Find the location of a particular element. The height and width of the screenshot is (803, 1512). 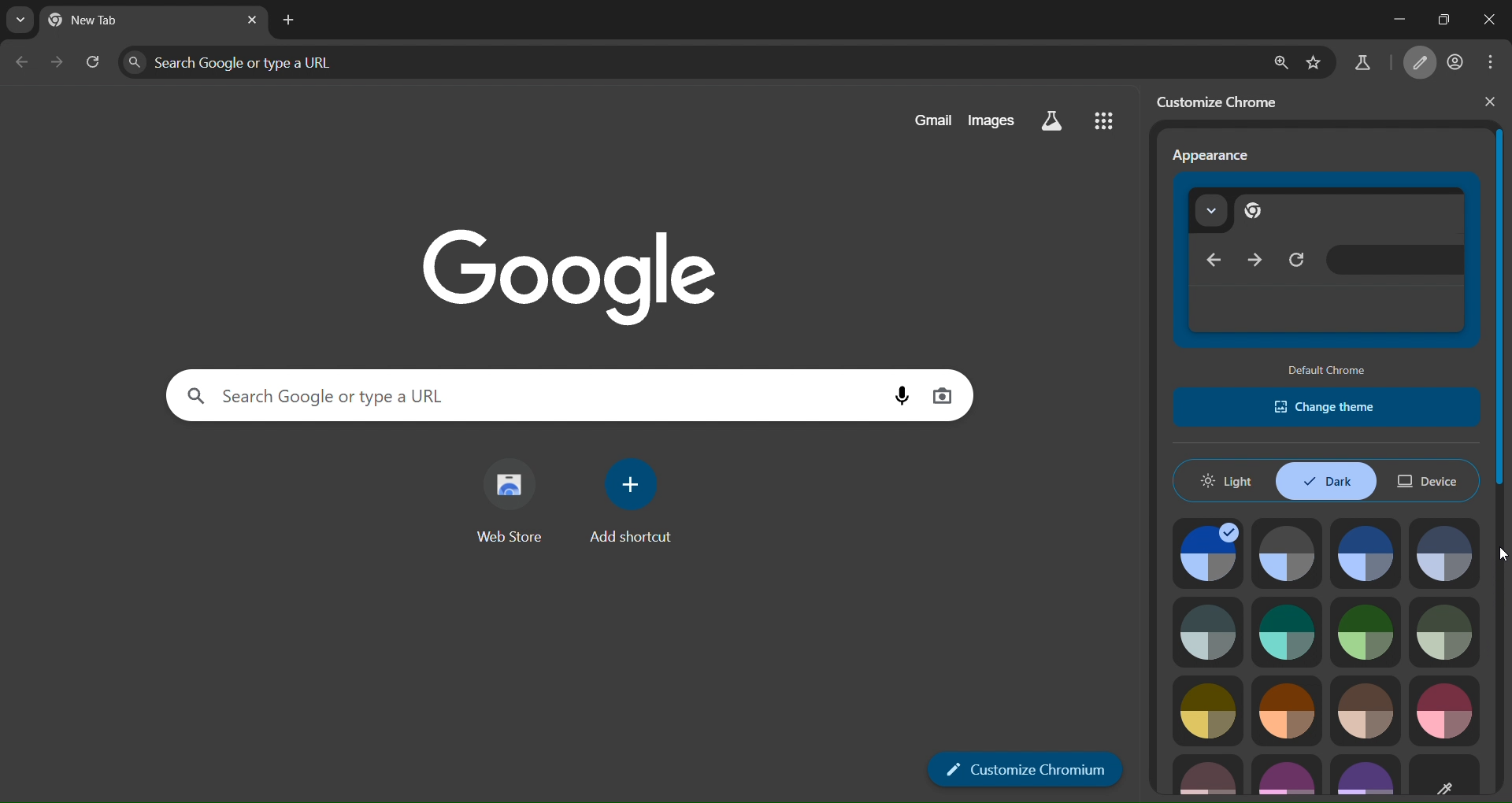

theme is located at coordinates (1365, 555).